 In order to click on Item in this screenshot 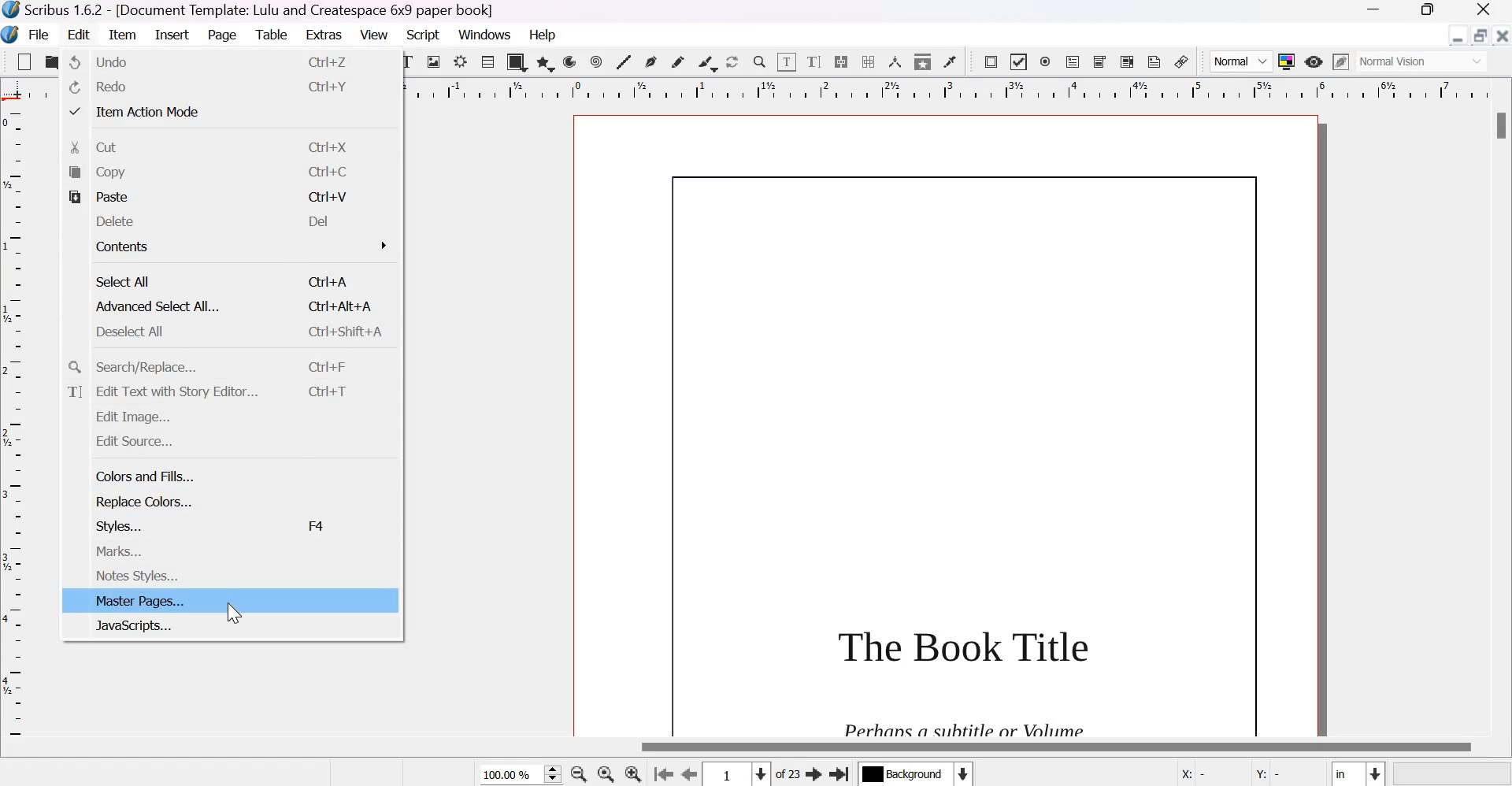, I will do `click(124, 34)`.